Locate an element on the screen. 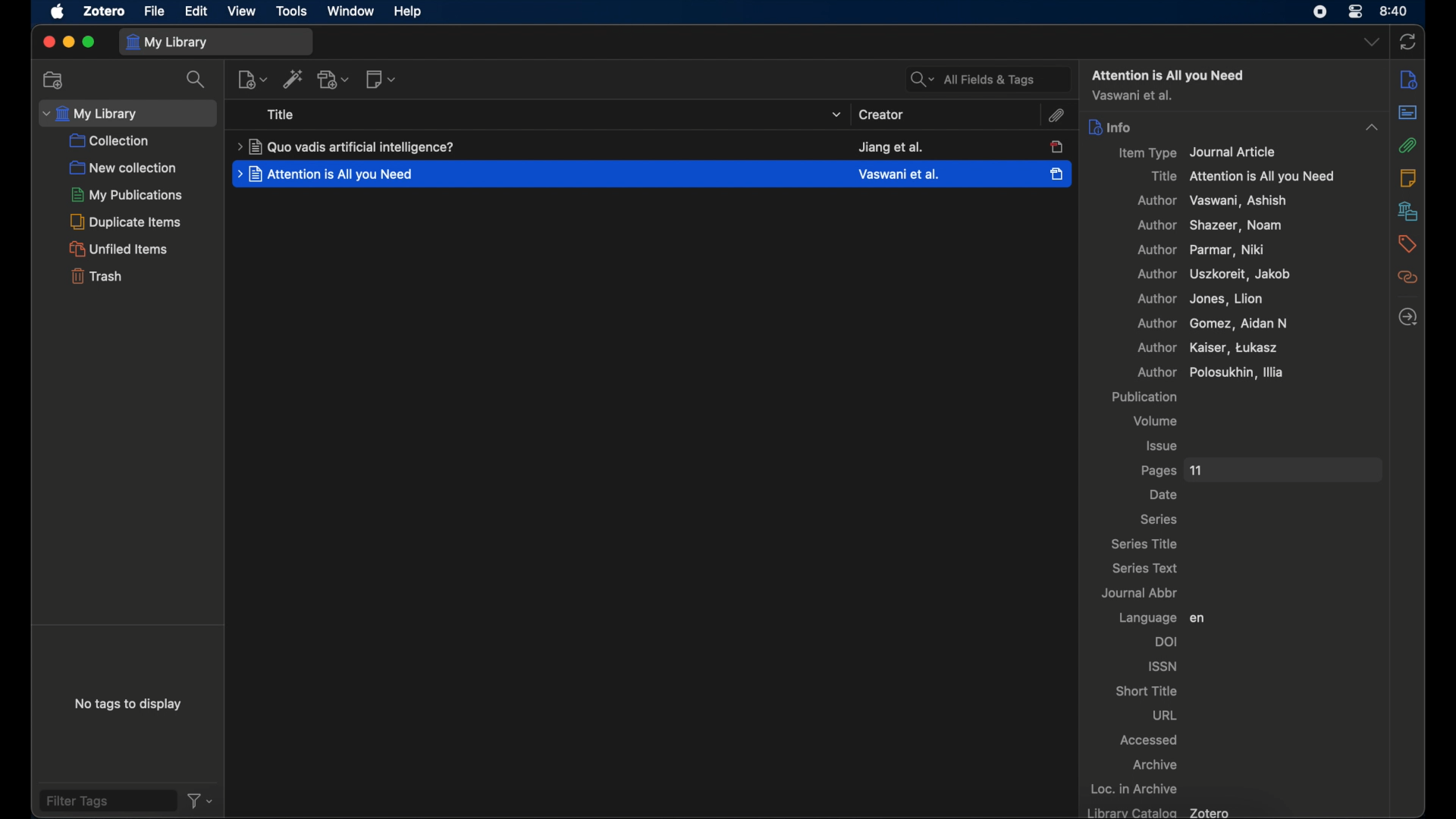 Image resolution: width=1456 pixels, height=819 pixels. pages is located at coordinates (1148, 471).